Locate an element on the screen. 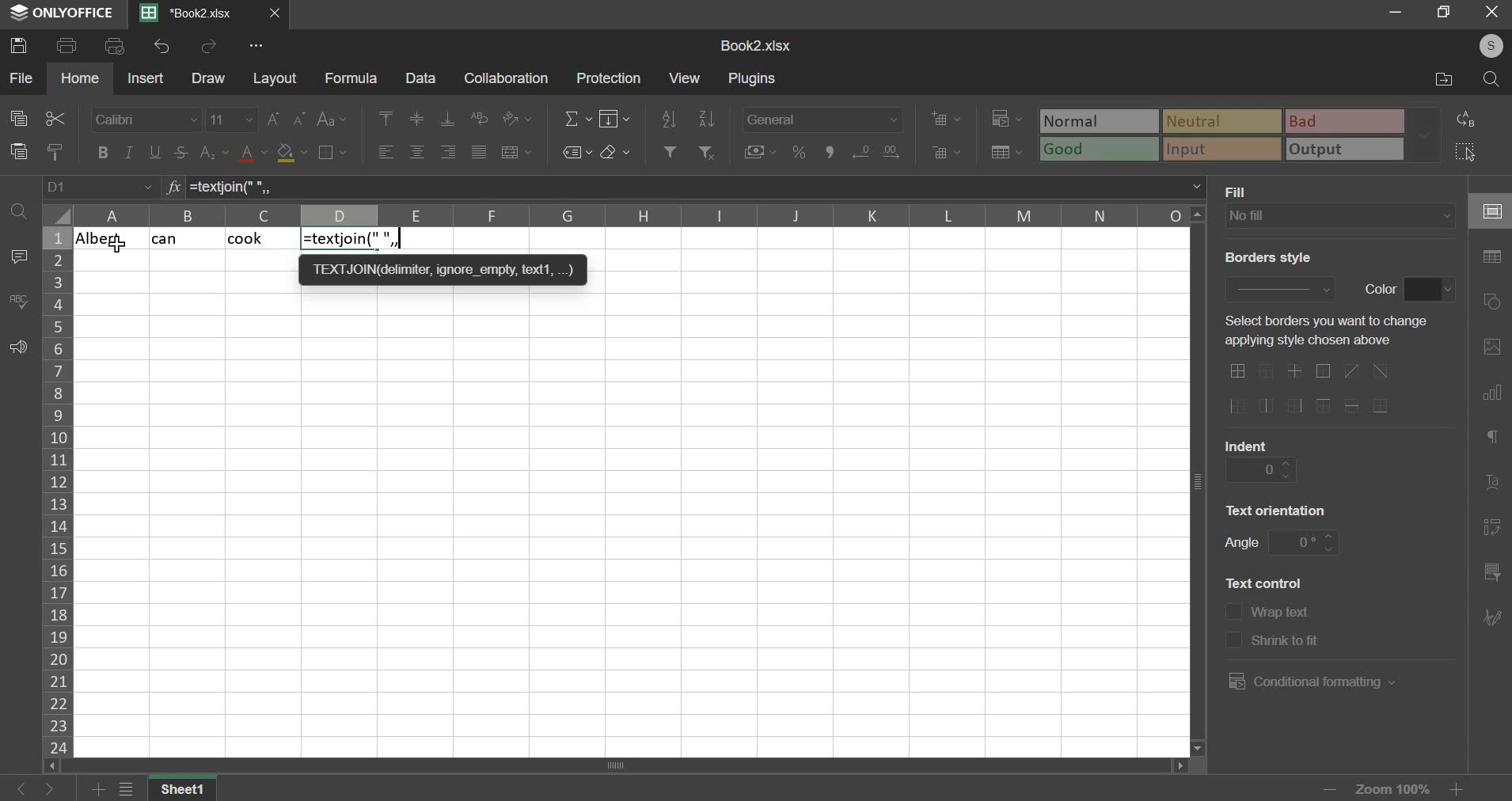 The width and height of the screenshot is (1512, 801). pivot table is located at coordinates (1492, 529).